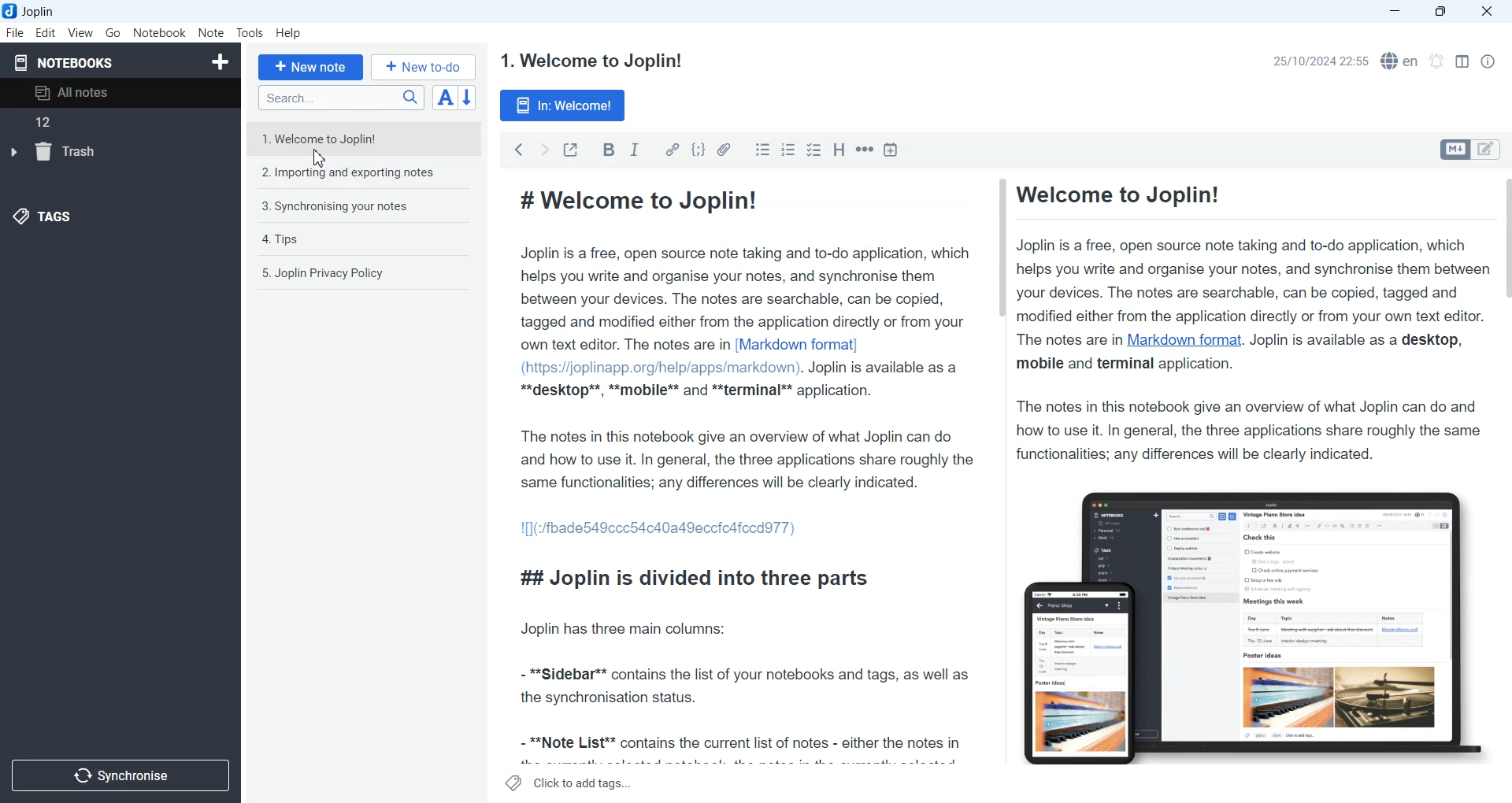  What do you see at coordinates (1247, 322) in the screenshot?
I see `Welcome to Joplin!

Joplin is a free, open source note taking and to-do application, which
helps you write and organise your notes, and synchronise them between
your devices. The notes are searchable, can be copied, tagged and
modified either from the application directly or from your own text editor.
The notes are in Markdown format. Joplin is available as a desktop,
mobile and terminal application.

The notes in this notebook give an overview of what Joplin can do and
how to use it. In general, the three applications share roughly the same
functionalities; any differences will be clearly indicated.` at bounding box center [1247, 322].